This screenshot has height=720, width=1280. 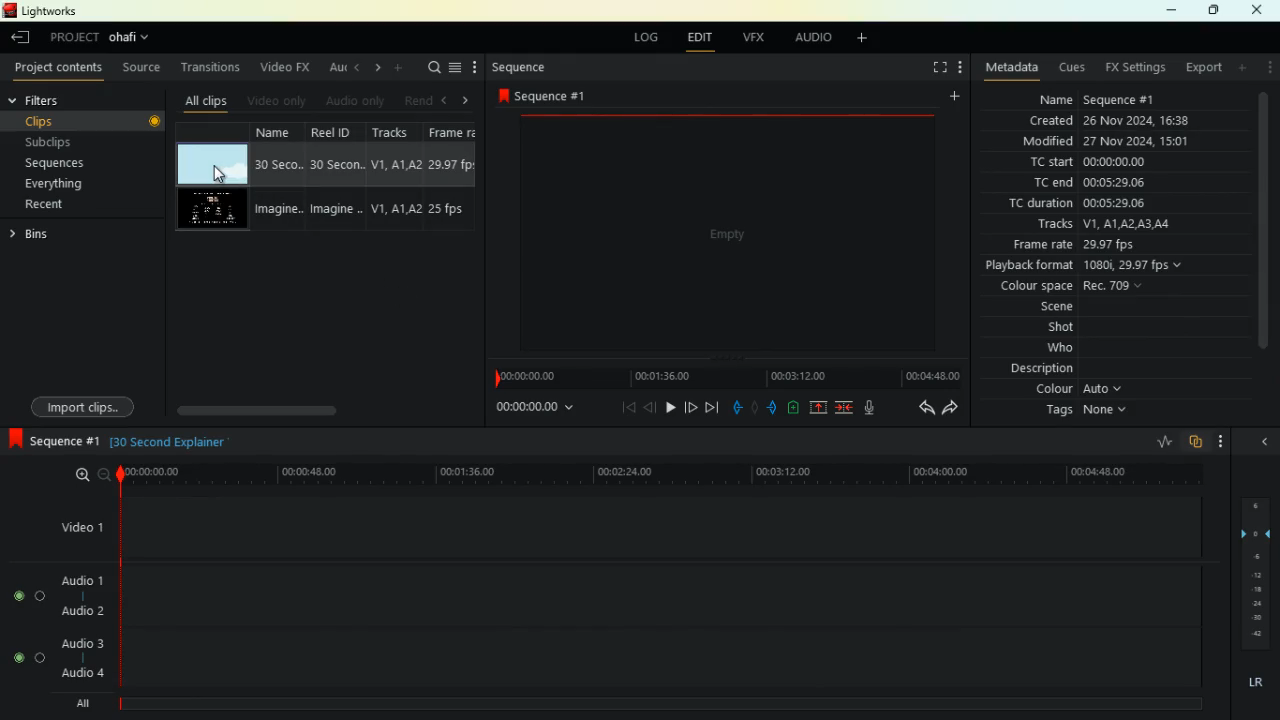 What do you see at coordinates (952, 99) in the screenshot?
I see `add` at bounding box center [952, 99].